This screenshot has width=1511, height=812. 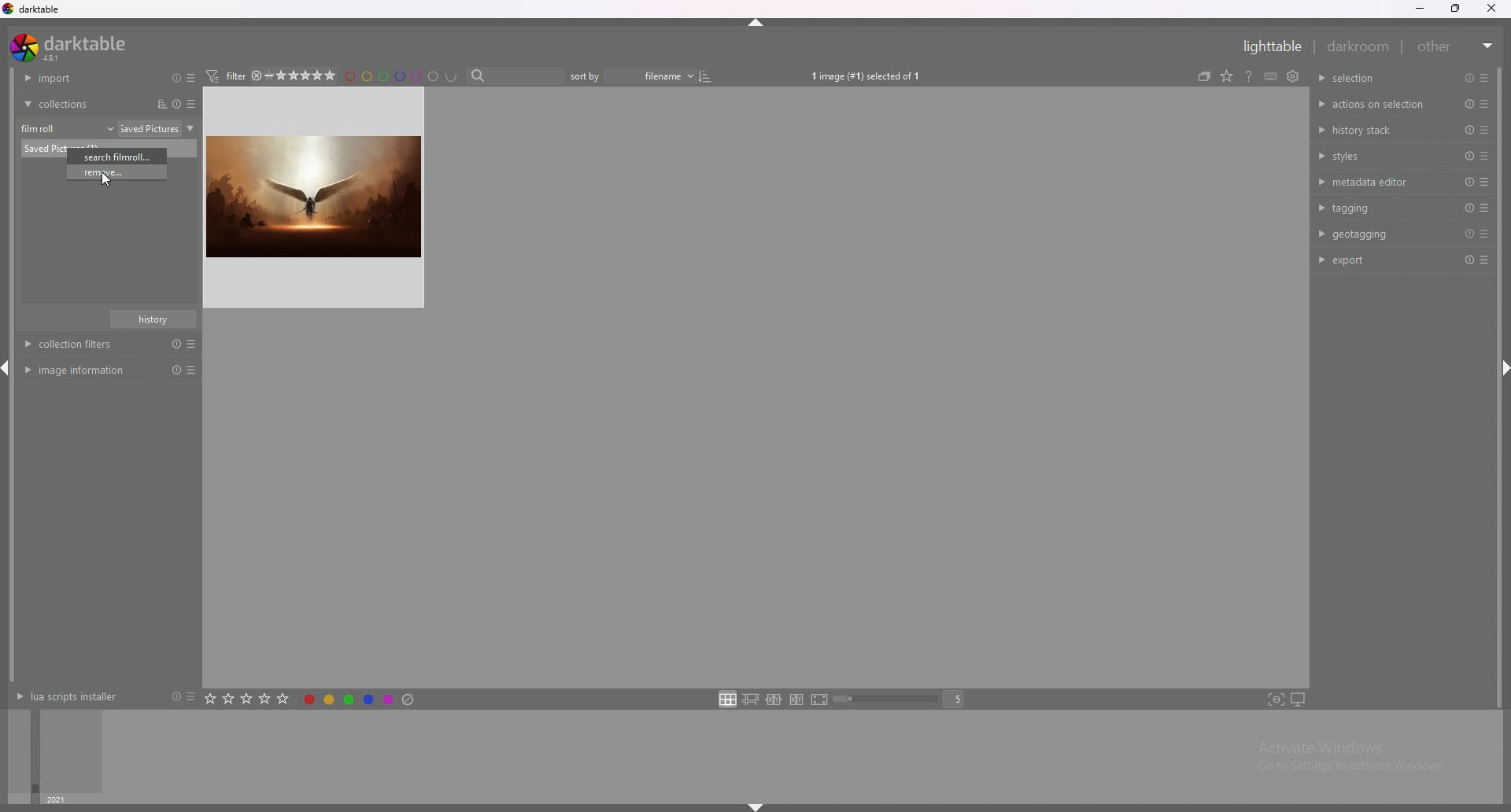 I want to click on styles, so click(x=1380, y=155).